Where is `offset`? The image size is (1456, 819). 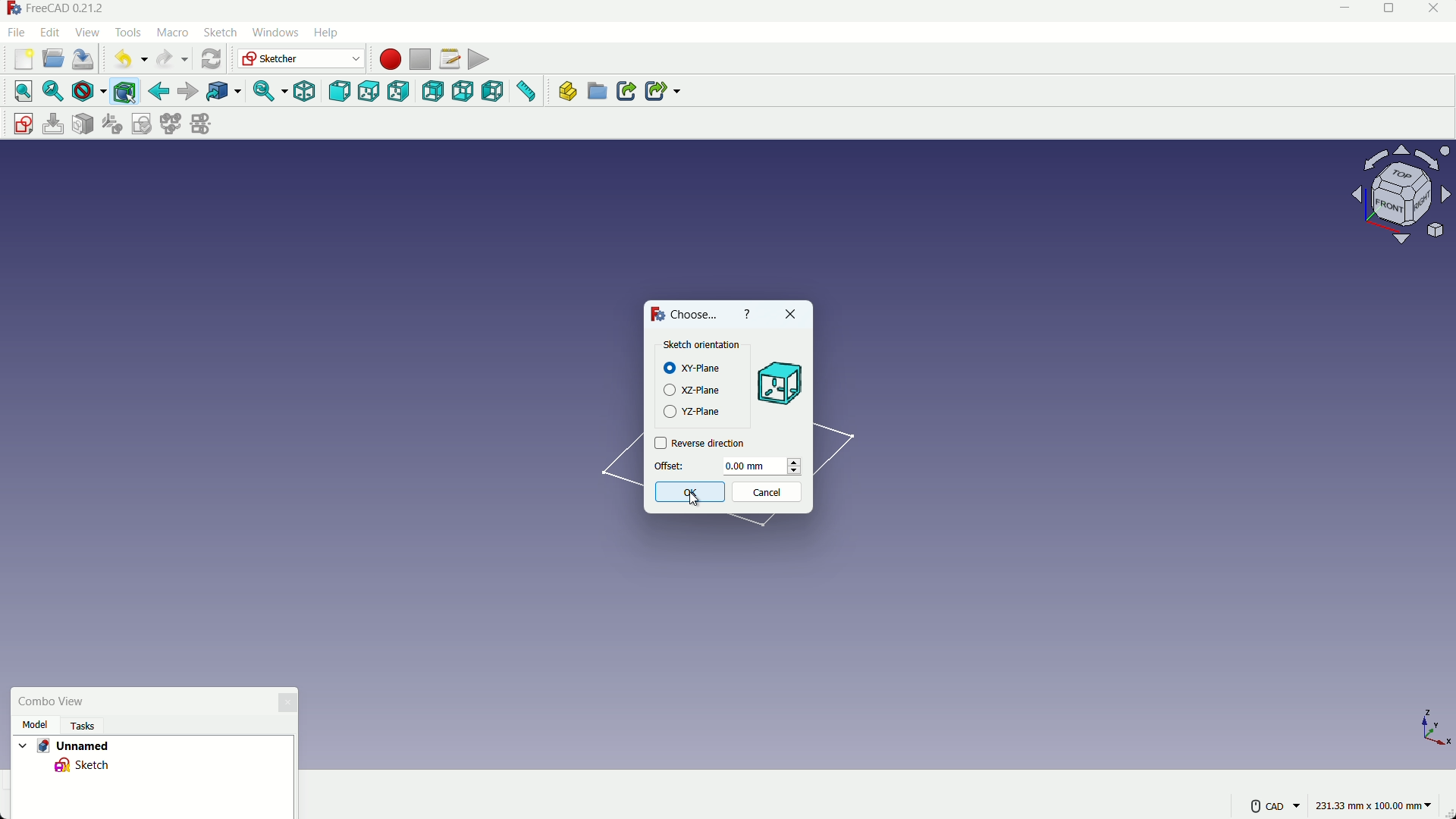
offset is located at coordinates (727, 467).